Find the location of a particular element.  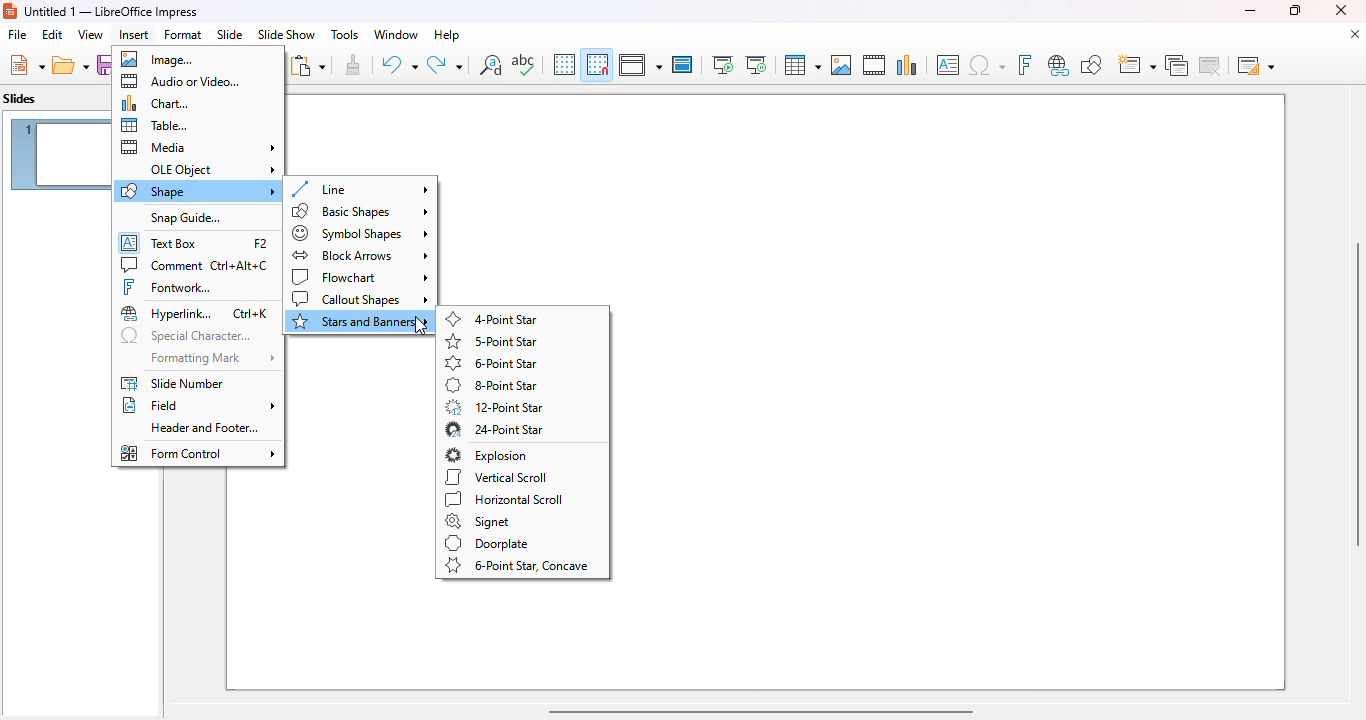

shape is located at coordinates (197, 191).